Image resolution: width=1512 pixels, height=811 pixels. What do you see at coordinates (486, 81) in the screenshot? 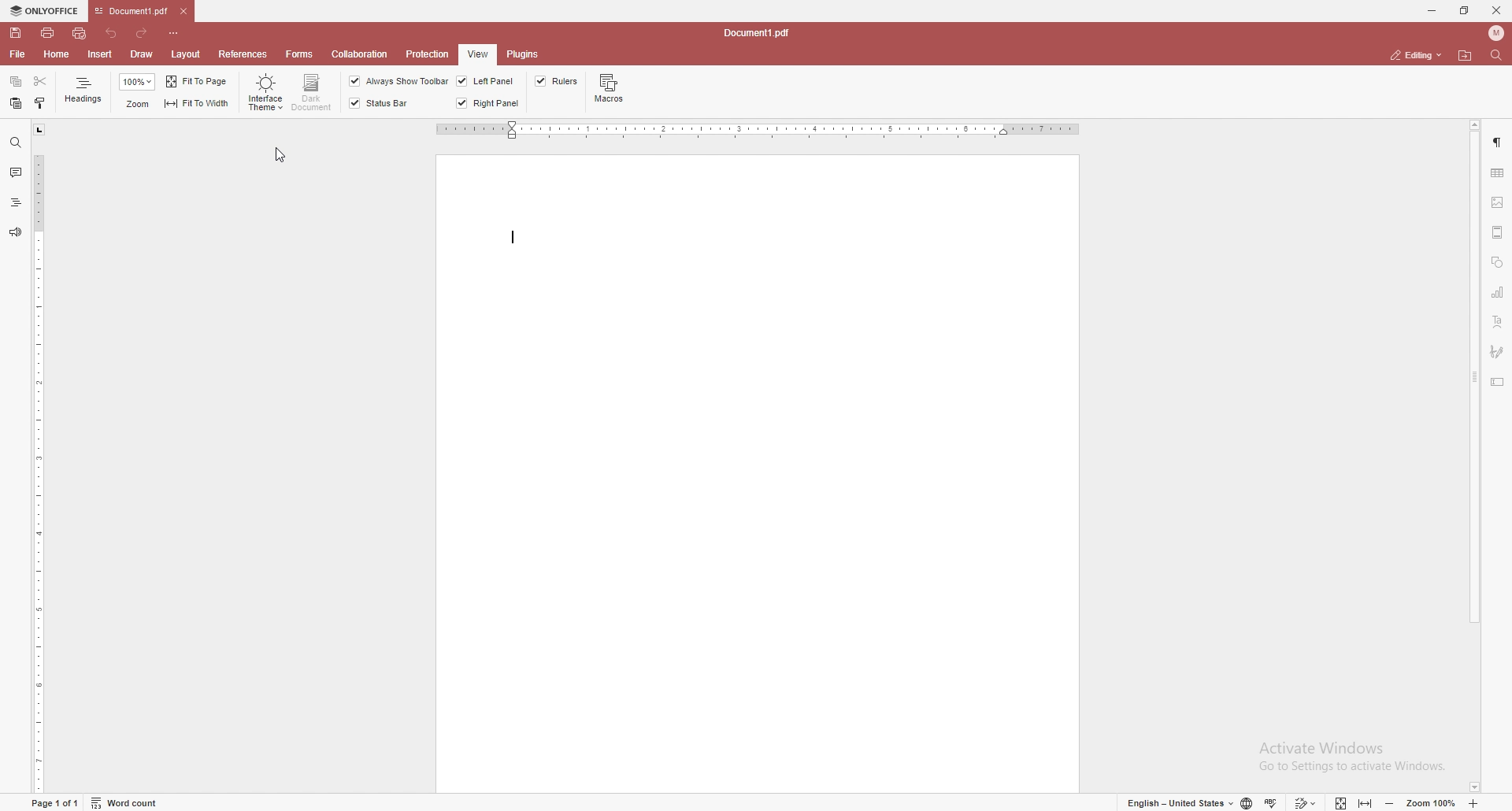
I see `left panel` at bounding box center [486, 81].